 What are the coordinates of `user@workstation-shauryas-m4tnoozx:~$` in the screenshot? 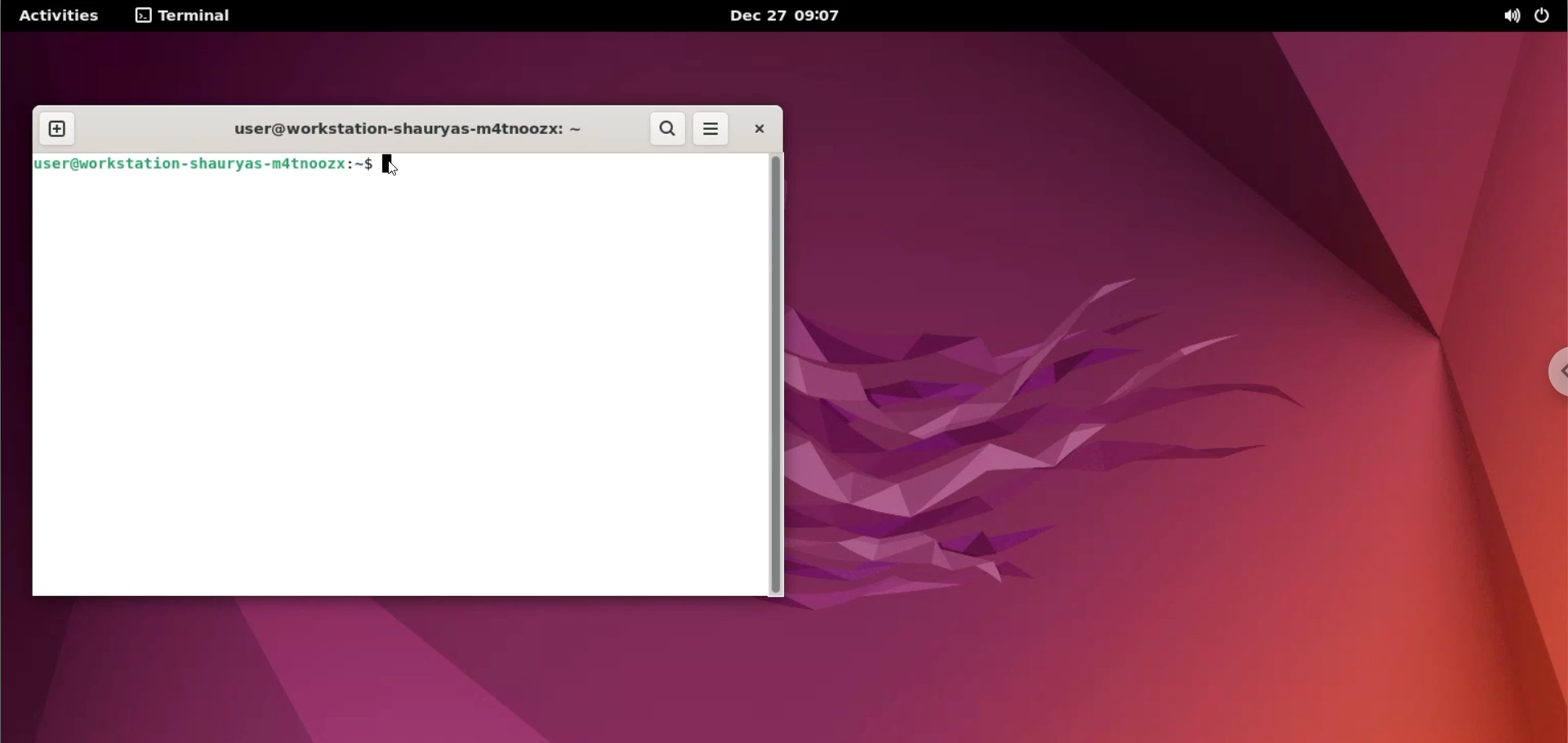 It's located at (203, 162).